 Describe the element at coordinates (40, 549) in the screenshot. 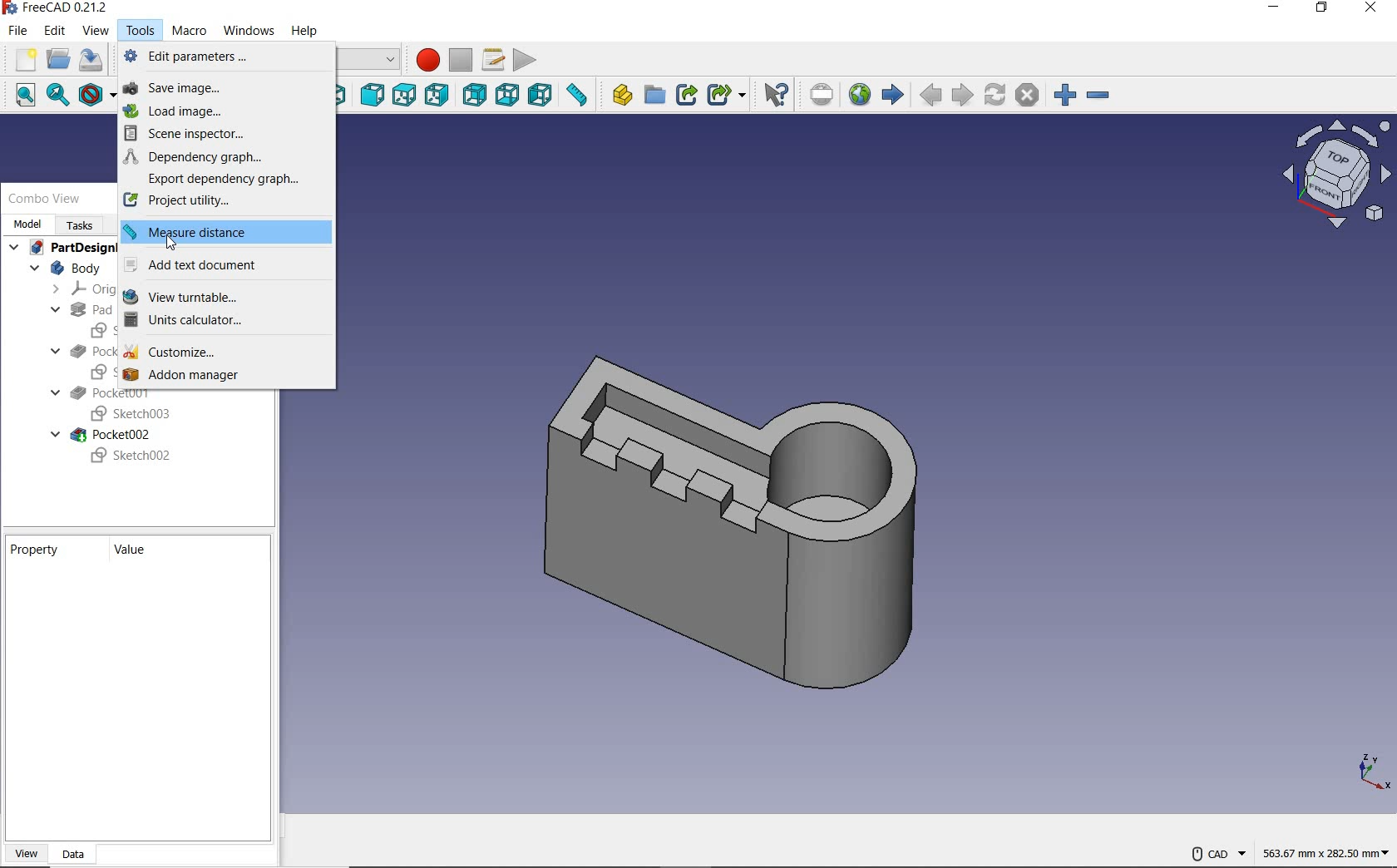

I see `PROPERTY` at that location.